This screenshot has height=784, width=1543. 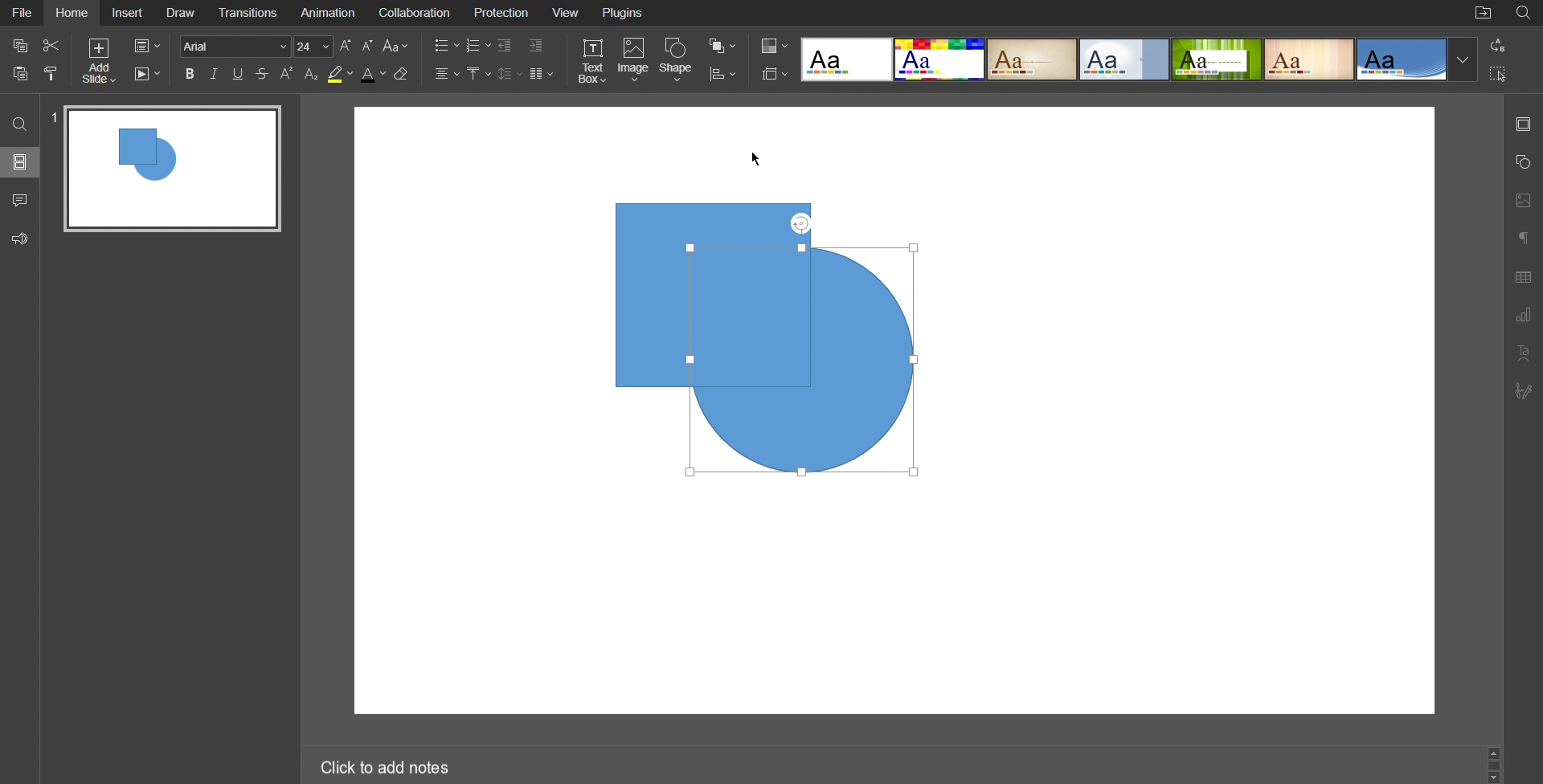 What do you see at coordinates (1463, 59) in the screenshot?
I see `Template Dropdown` at bounding box center [1463, 59].